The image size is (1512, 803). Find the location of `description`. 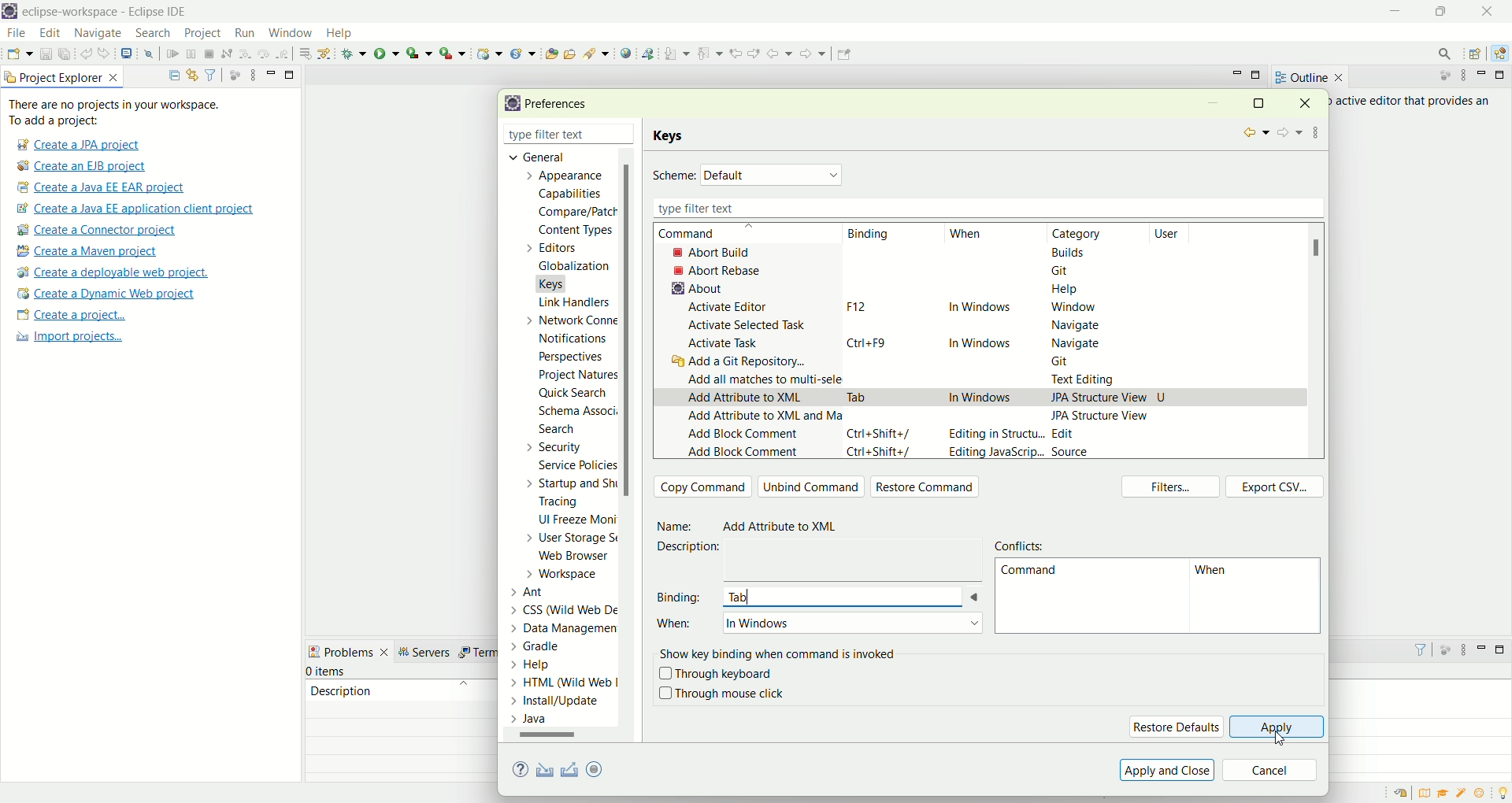

description is located at coordinates (694, 547).